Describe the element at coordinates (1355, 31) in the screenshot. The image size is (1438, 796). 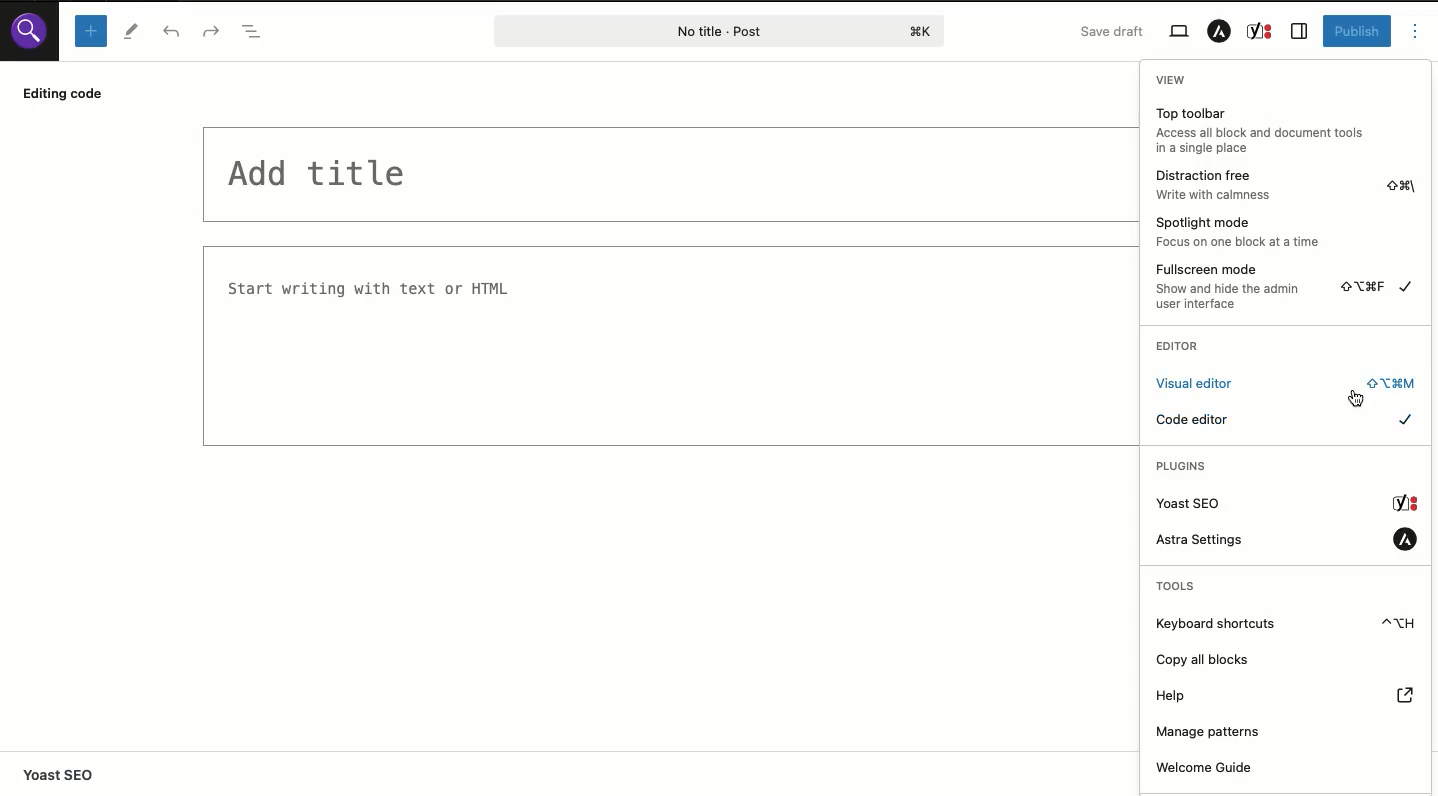
I see `Publish` at that location.